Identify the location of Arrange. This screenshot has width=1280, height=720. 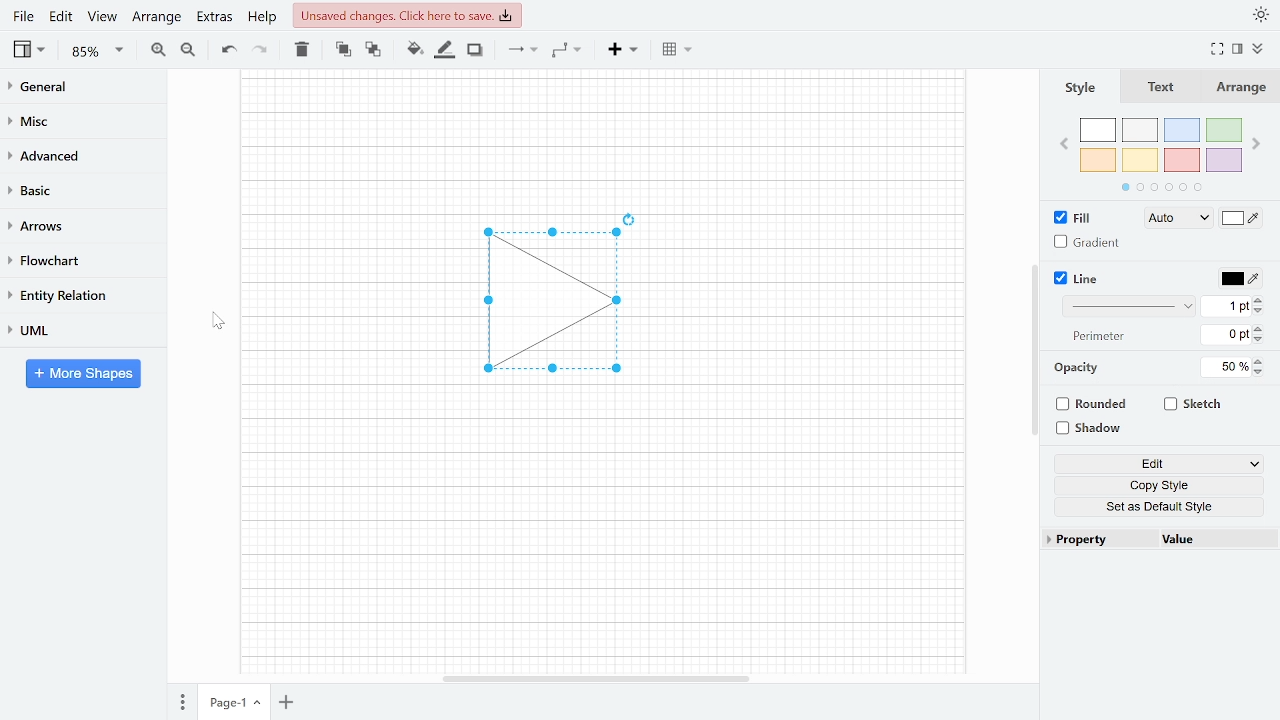
(156, 16).